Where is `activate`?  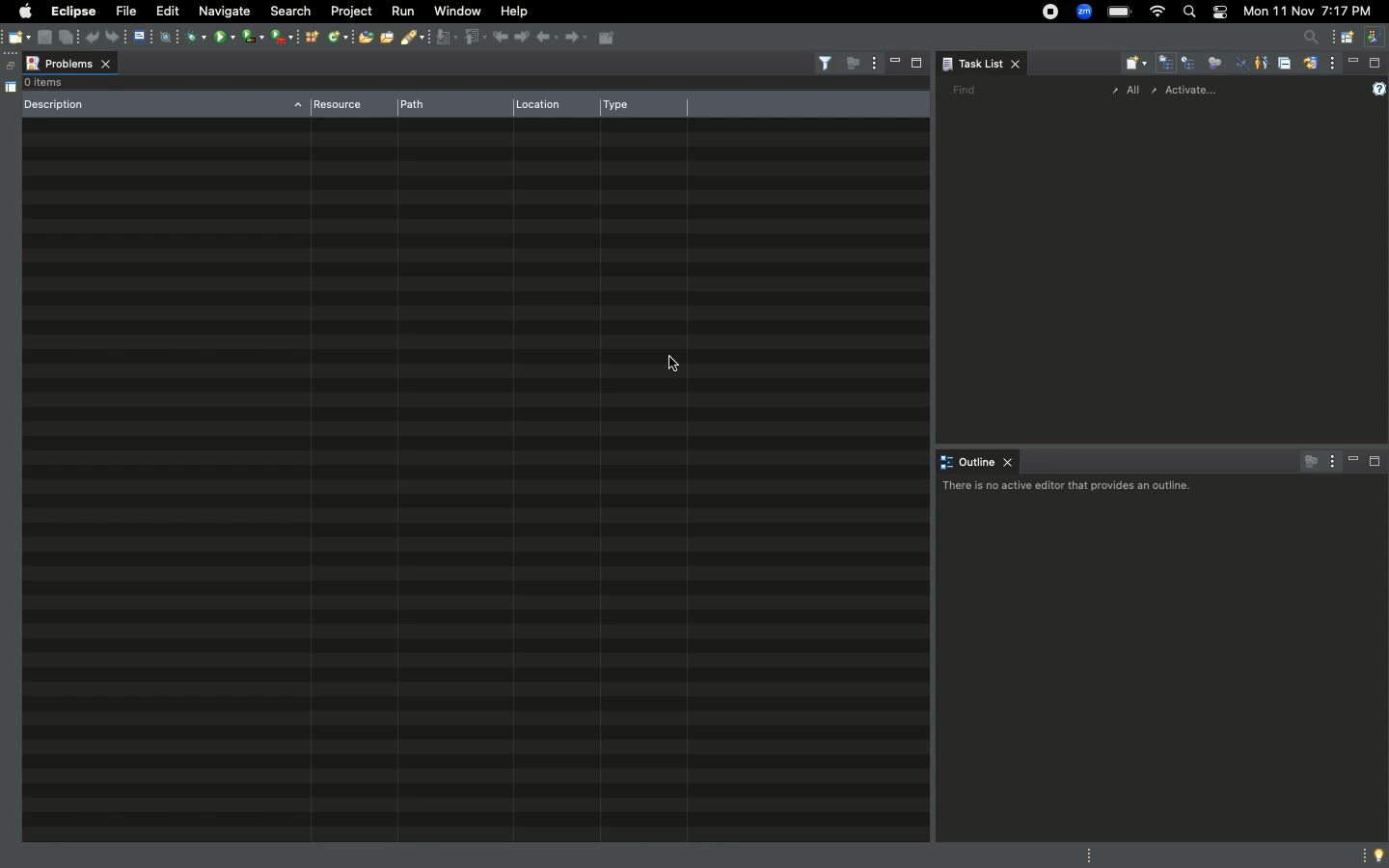
activate is located at coordinates (1200, 92).